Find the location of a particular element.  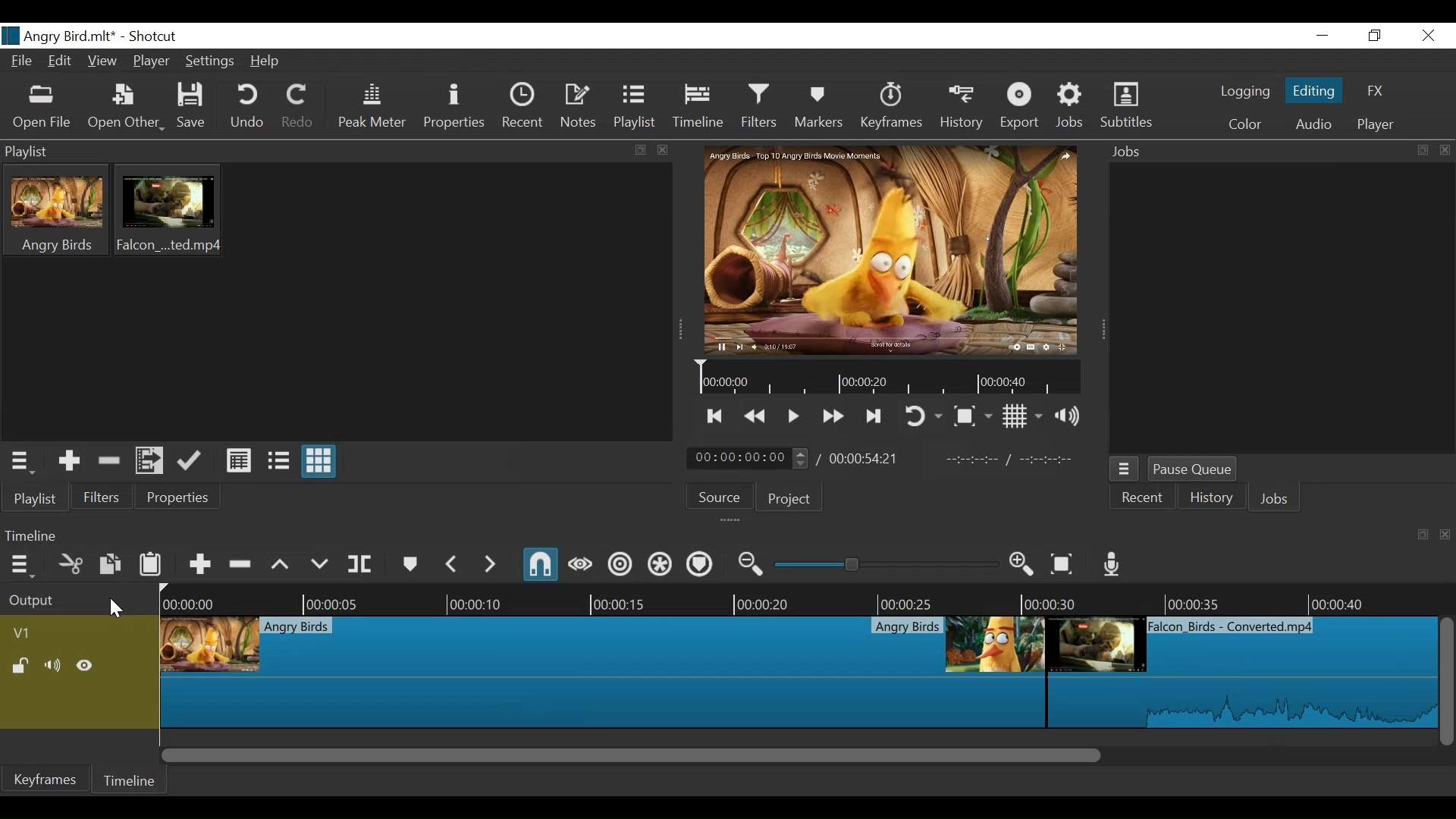

Snap is located at coordinates (542, 564).